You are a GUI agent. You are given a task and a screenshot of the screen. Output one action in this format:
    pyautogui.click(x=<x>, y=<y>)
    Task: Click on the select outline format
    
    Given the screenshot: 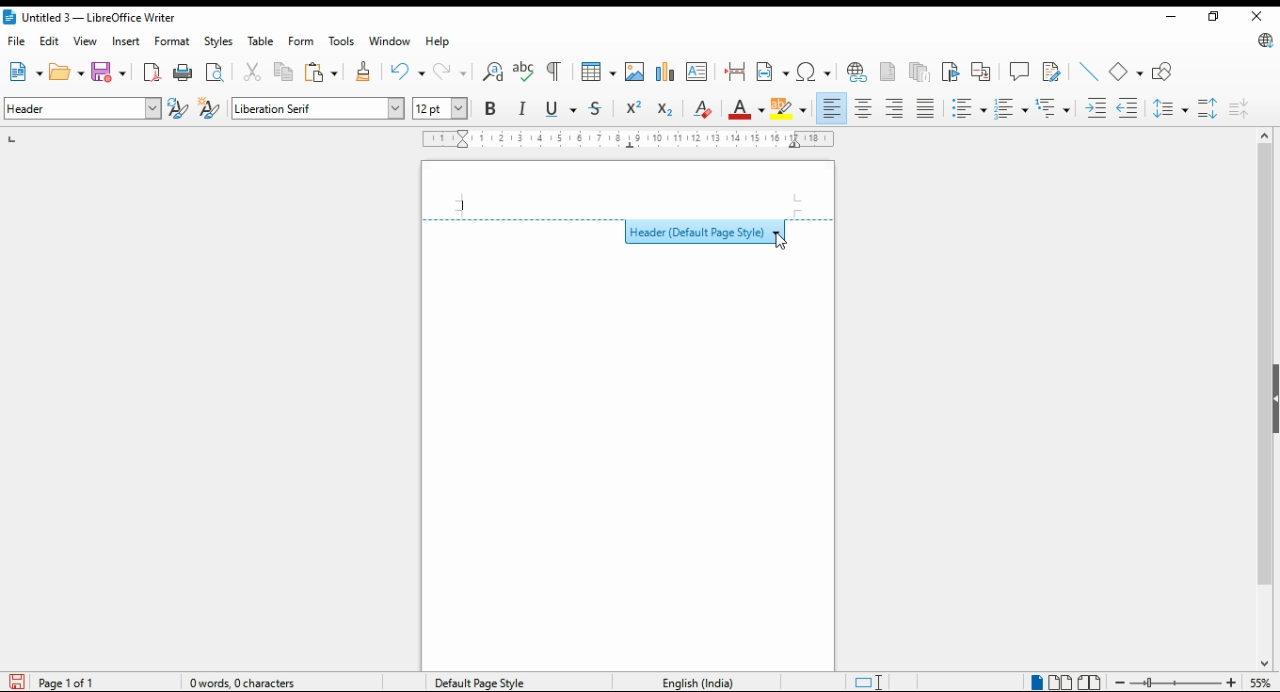 What is the action you would take?
    pyautogui.click(x=1053, y=107)
    